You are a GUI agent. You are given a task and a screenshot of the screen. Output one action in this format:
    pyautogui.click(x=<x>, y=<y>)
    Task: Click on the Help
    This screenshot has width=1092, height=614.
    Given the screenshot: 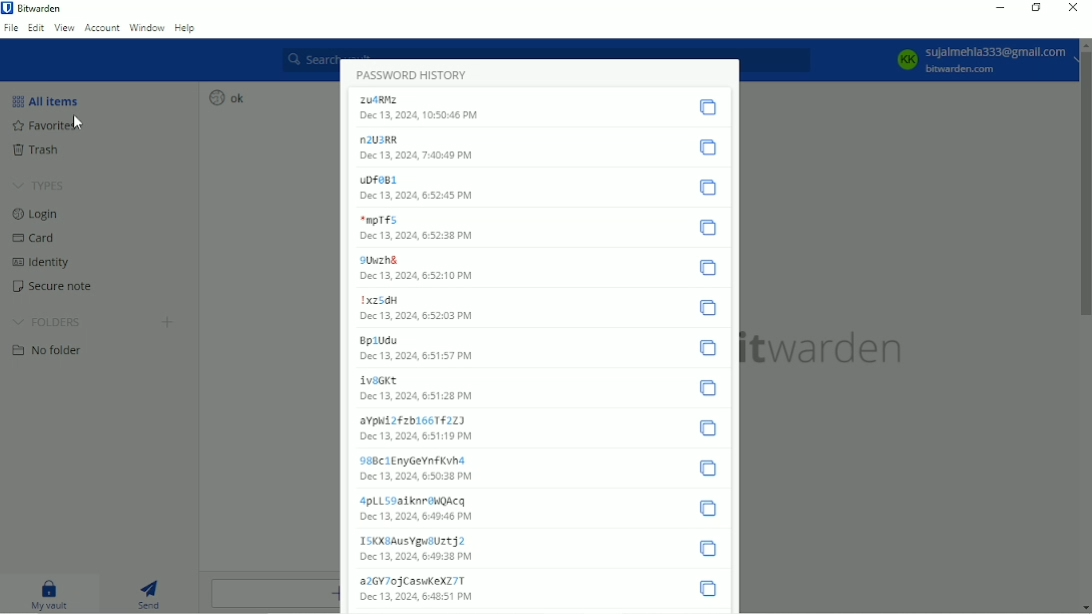 What is the action you would take?
    pyautogui.click(x=186, y=27)
    